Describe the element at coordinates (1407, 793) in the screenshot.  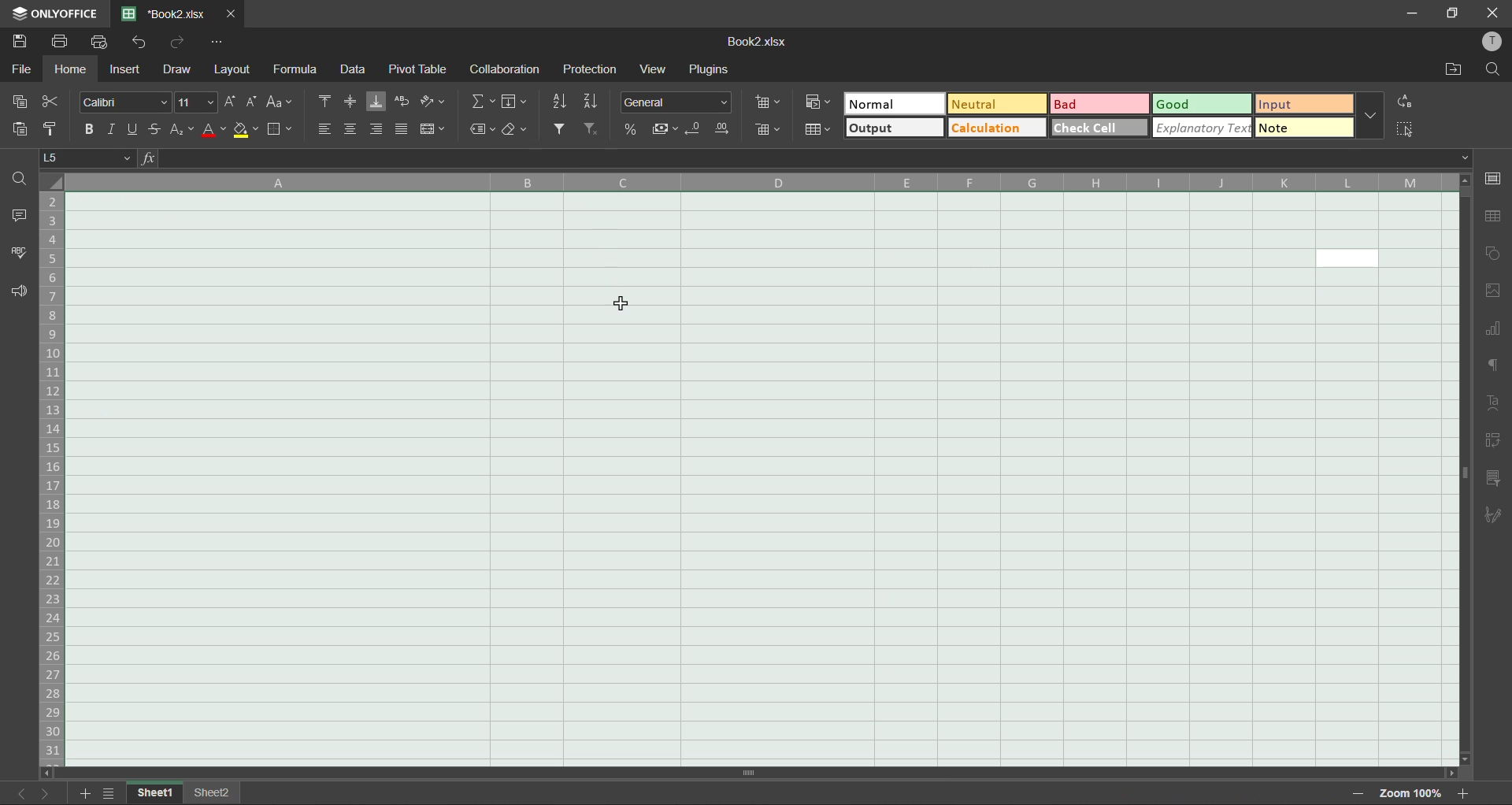
I see `zoom factor` at that location.